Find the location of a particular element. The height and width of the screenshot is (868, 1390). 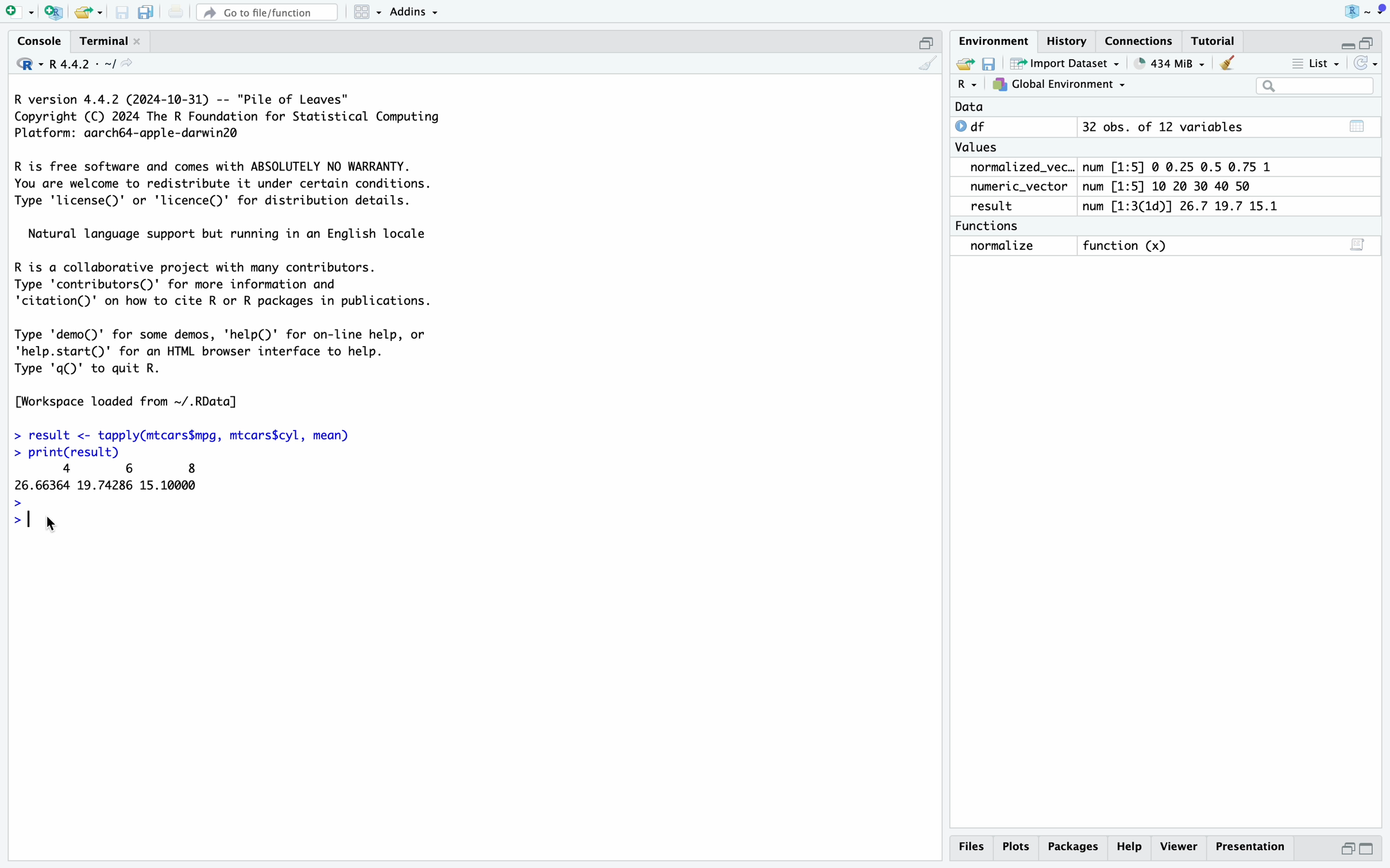

Half height is located at coordinates (1369, 44).